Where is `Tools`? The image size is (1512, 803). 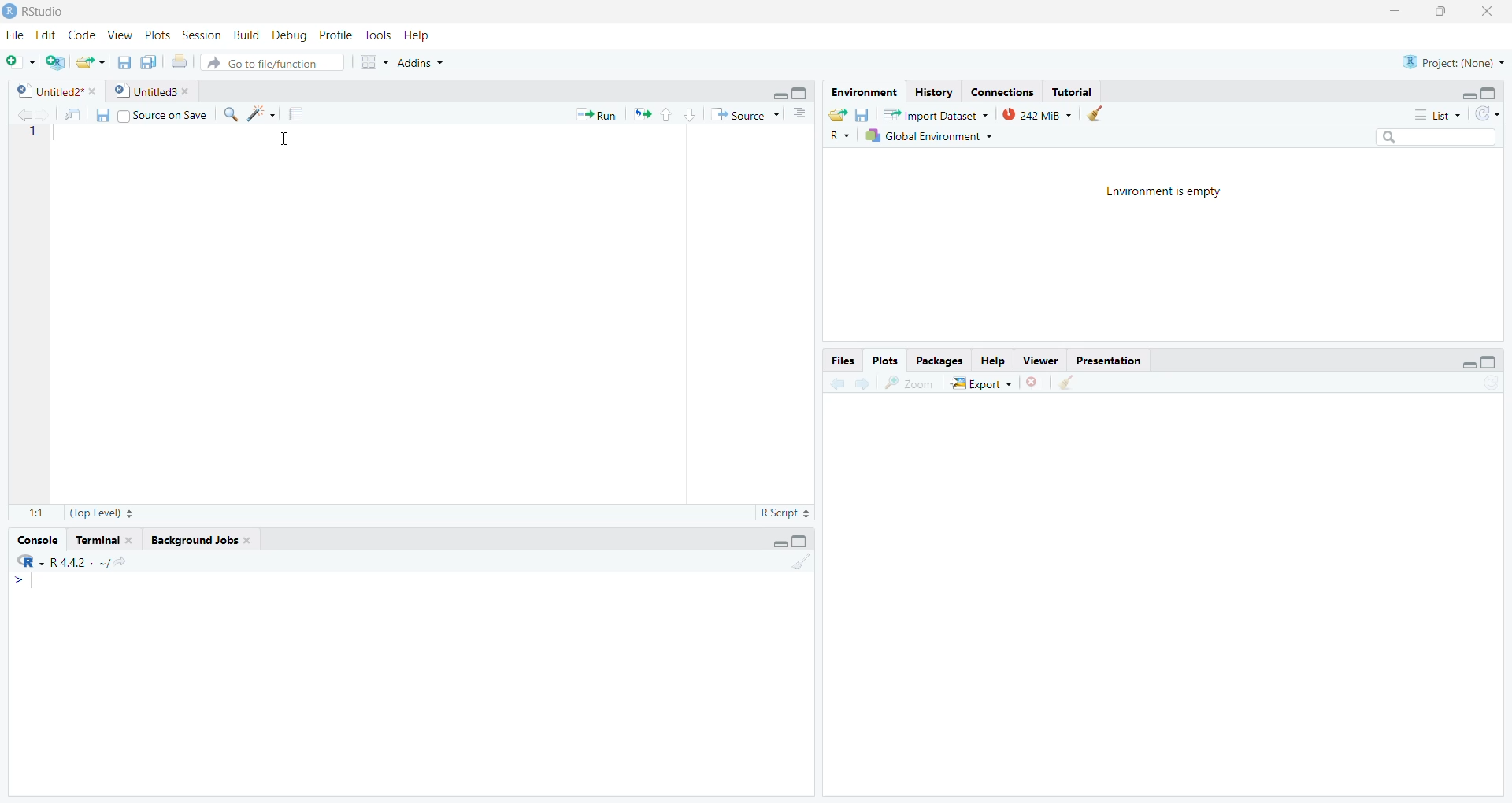 Tools is located at coordinates (378, 35).